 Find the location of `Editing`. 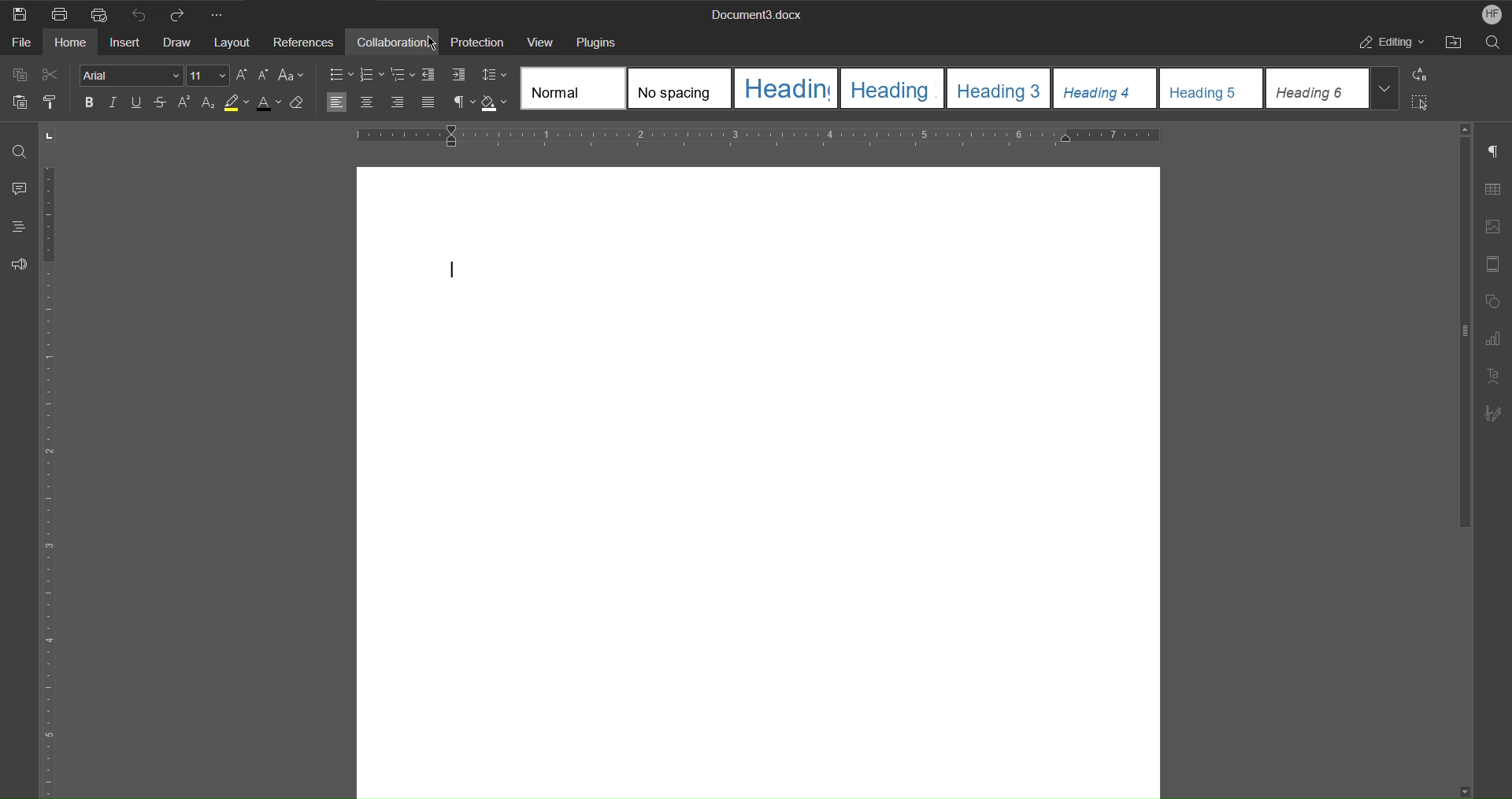

Editing is located at coordinates (1390, 43).